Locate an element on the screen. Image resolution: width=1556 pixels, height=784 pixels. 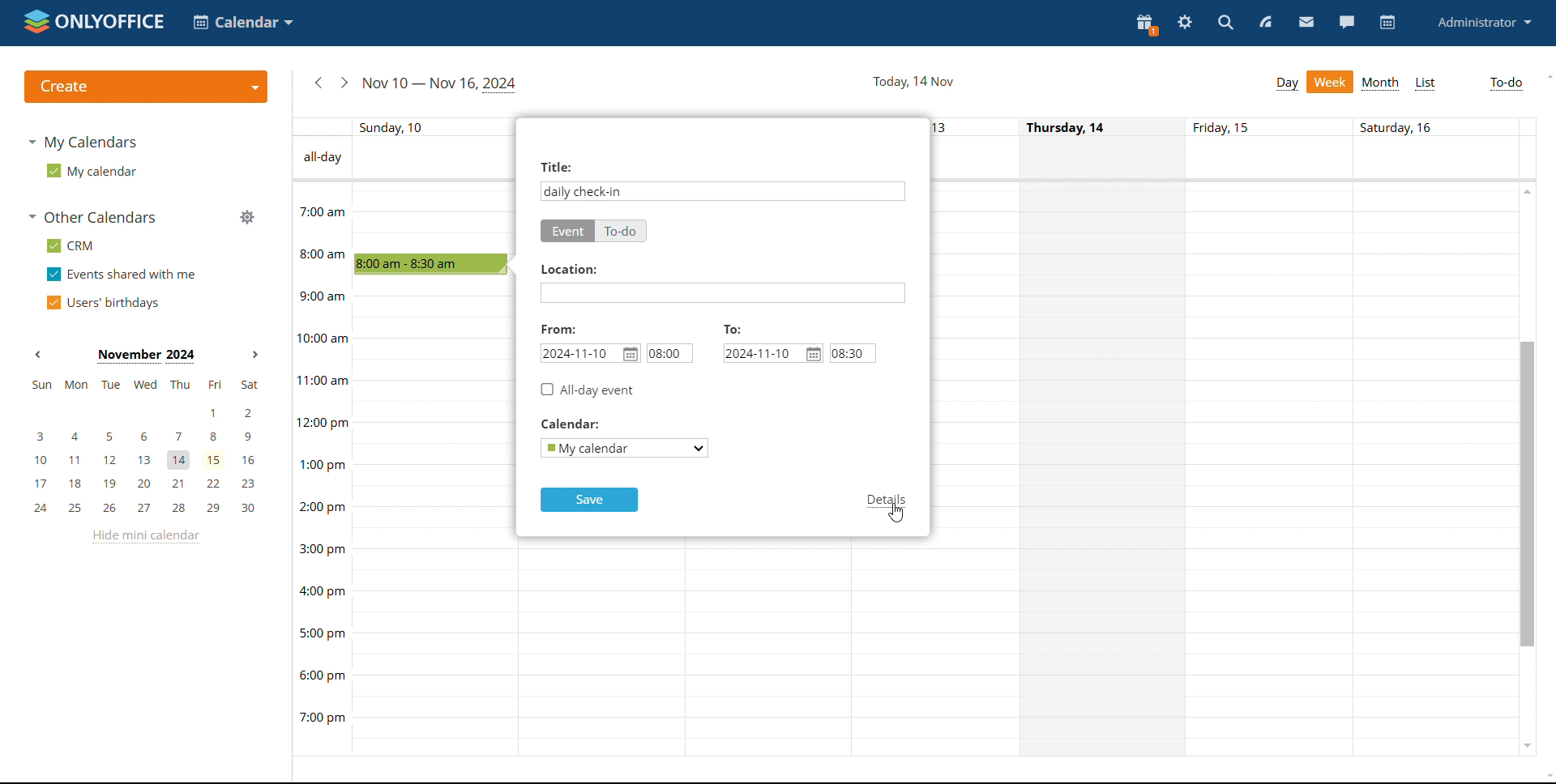
current week is located at coordinates (440, 83).